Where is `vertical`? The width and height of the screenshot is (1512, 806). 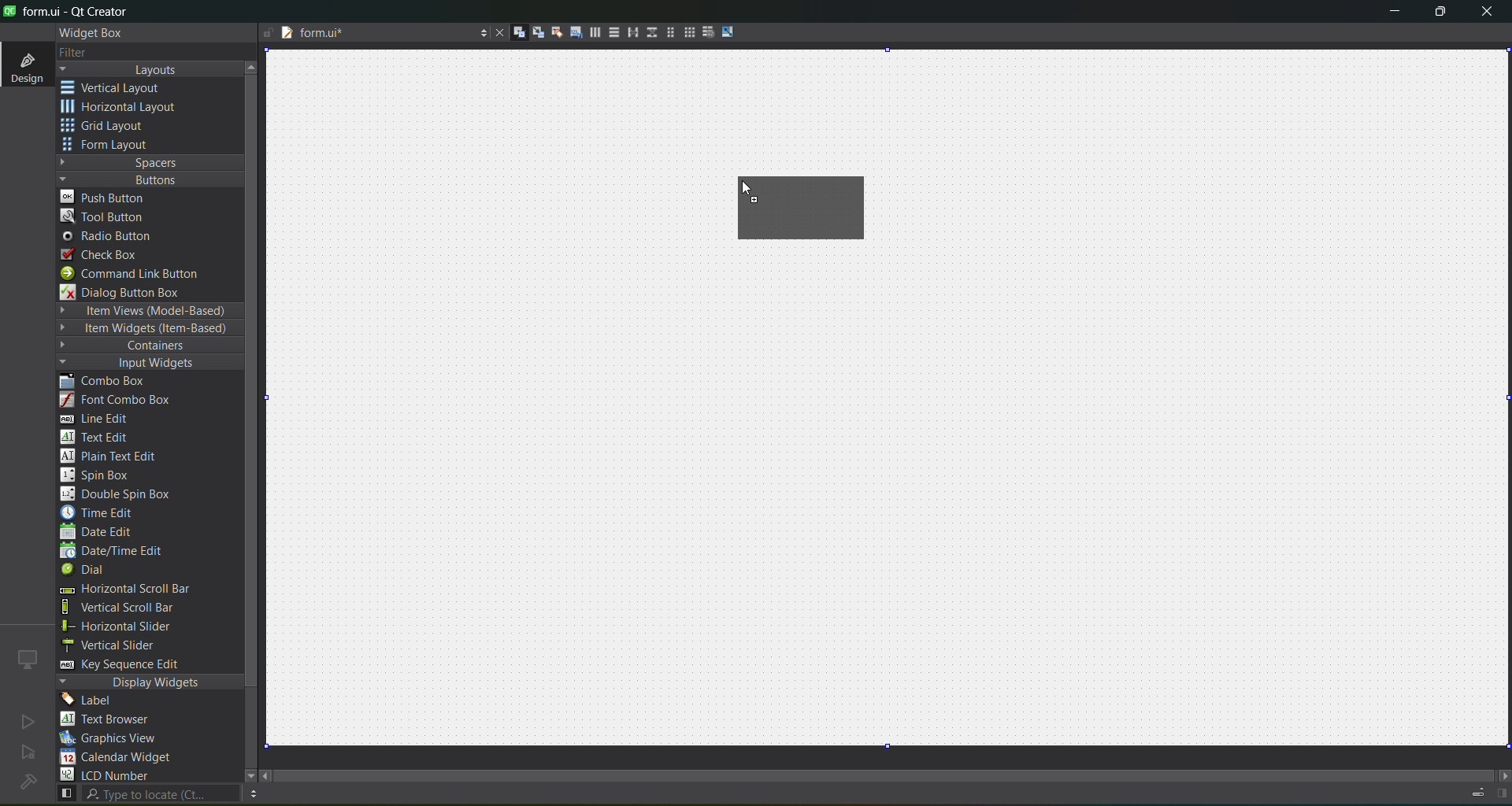
vertical is located at coordinates (122, 88).